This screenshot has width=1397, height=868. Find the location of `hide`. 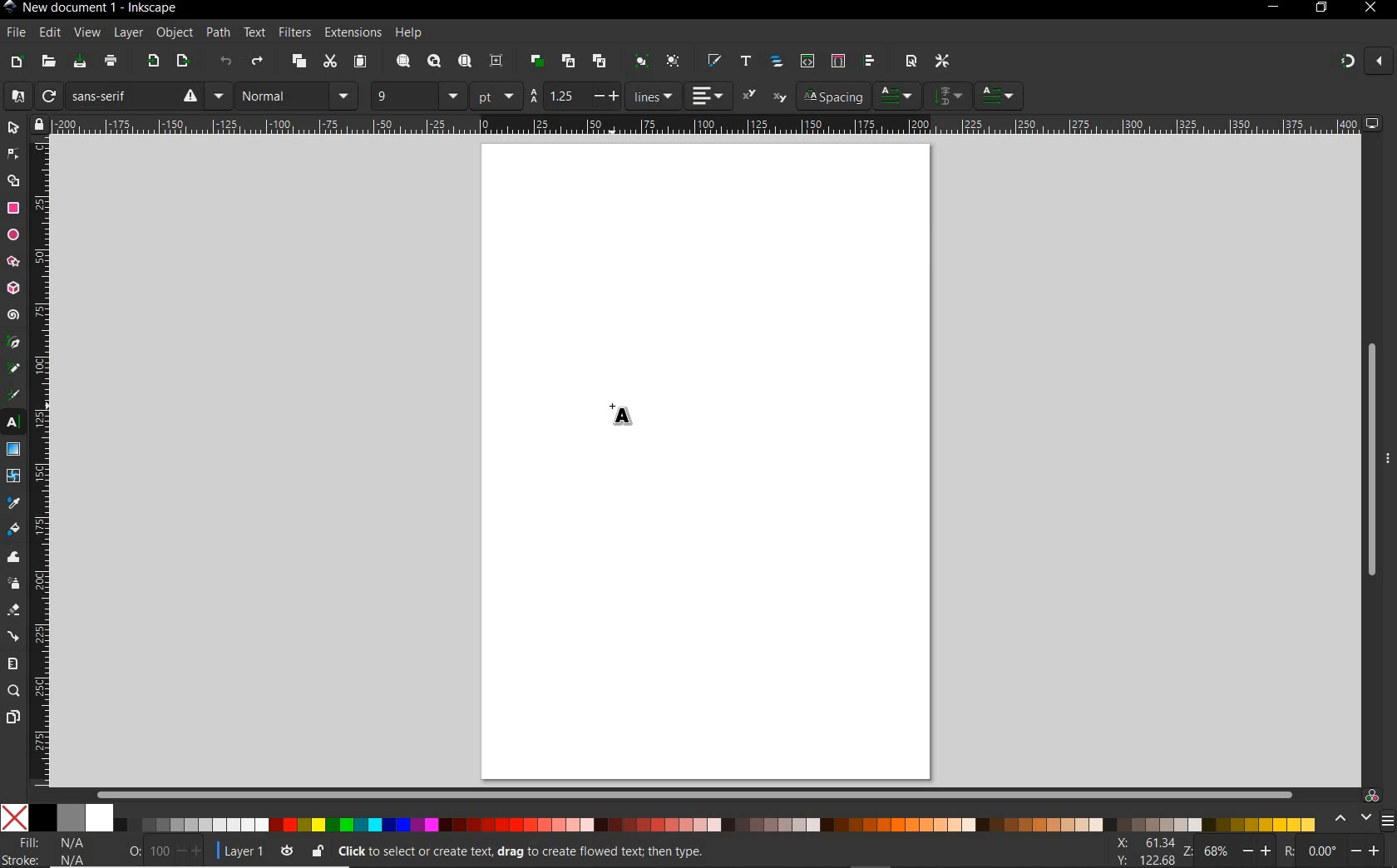

hide is located at coordinates (1389, 456).